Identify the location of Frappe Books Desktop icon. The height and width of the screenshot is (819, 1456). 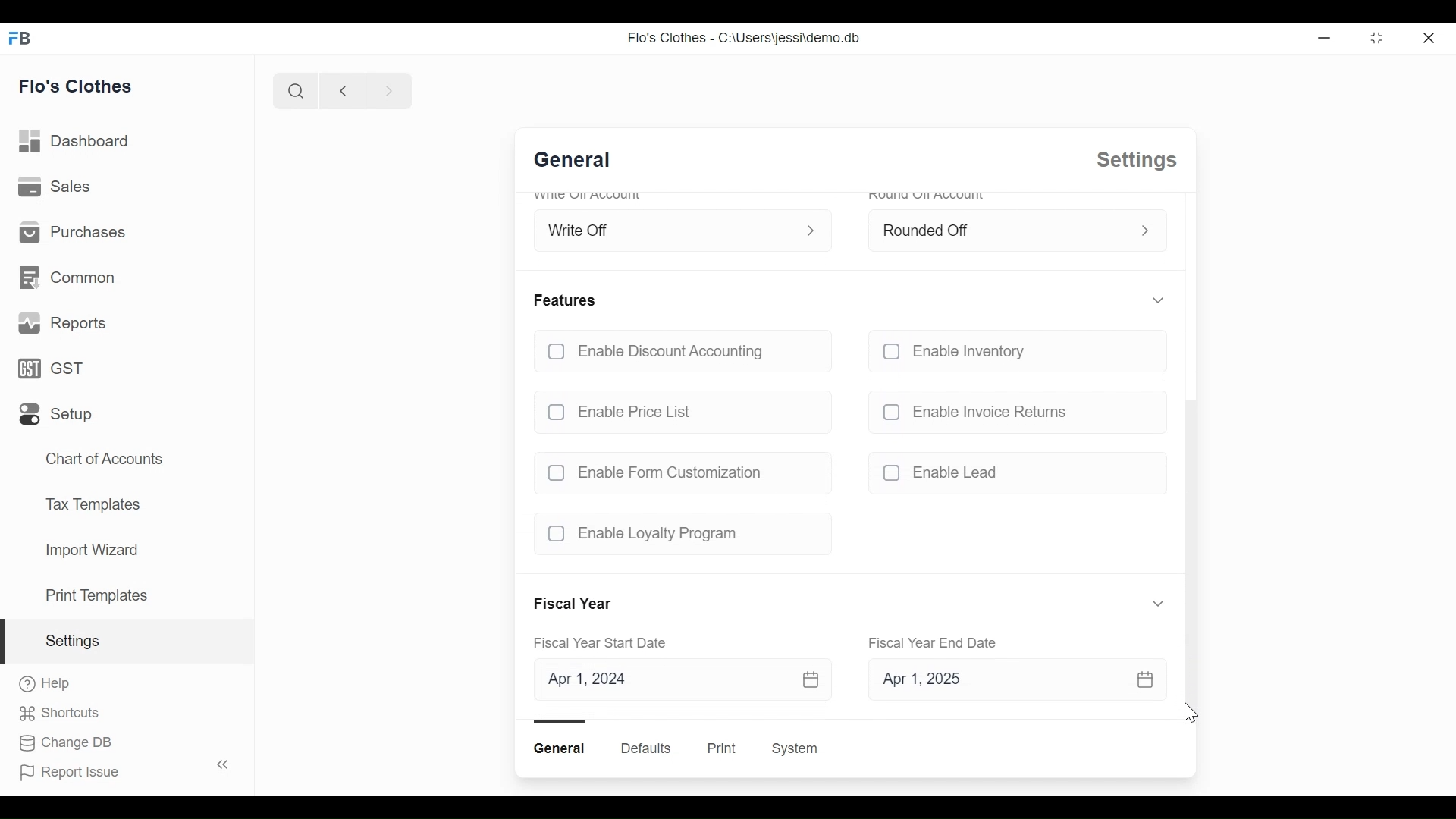
(24, 37).